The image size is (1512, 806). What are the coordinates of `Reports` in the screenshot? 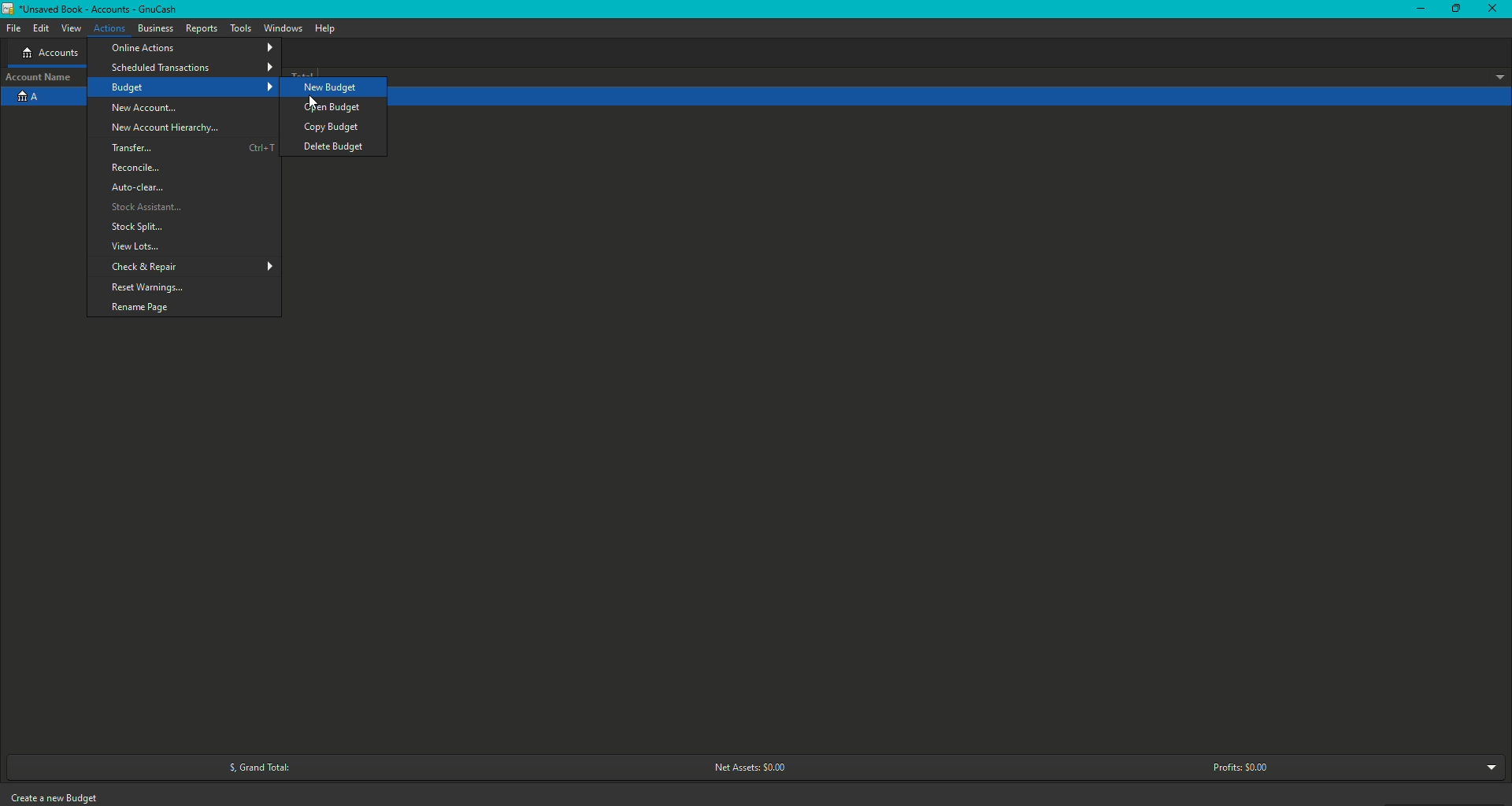 It's located at (201, 31).